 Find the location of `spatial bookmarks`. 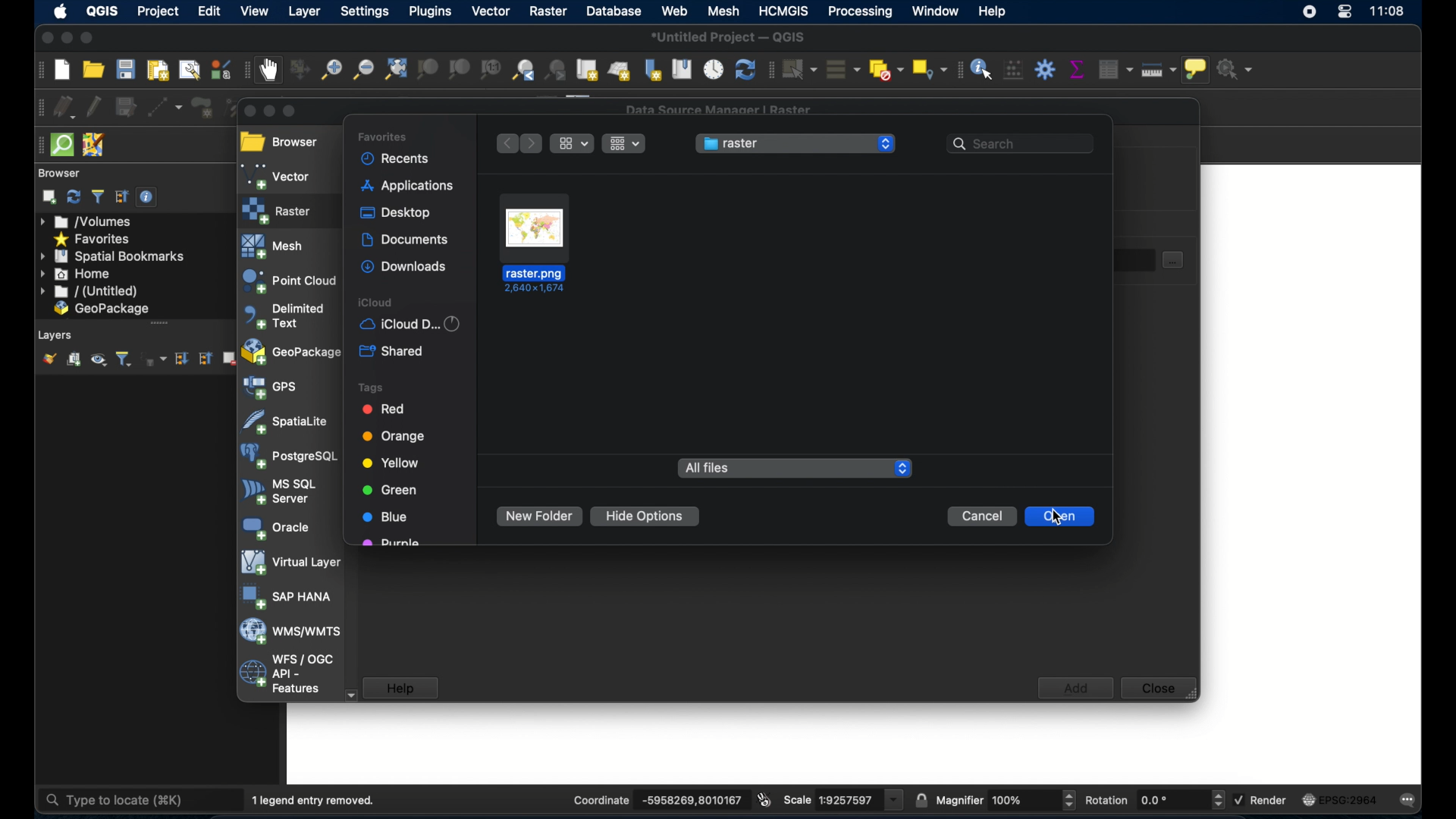

spatial bookmarks is located at coordinates (113, 256).